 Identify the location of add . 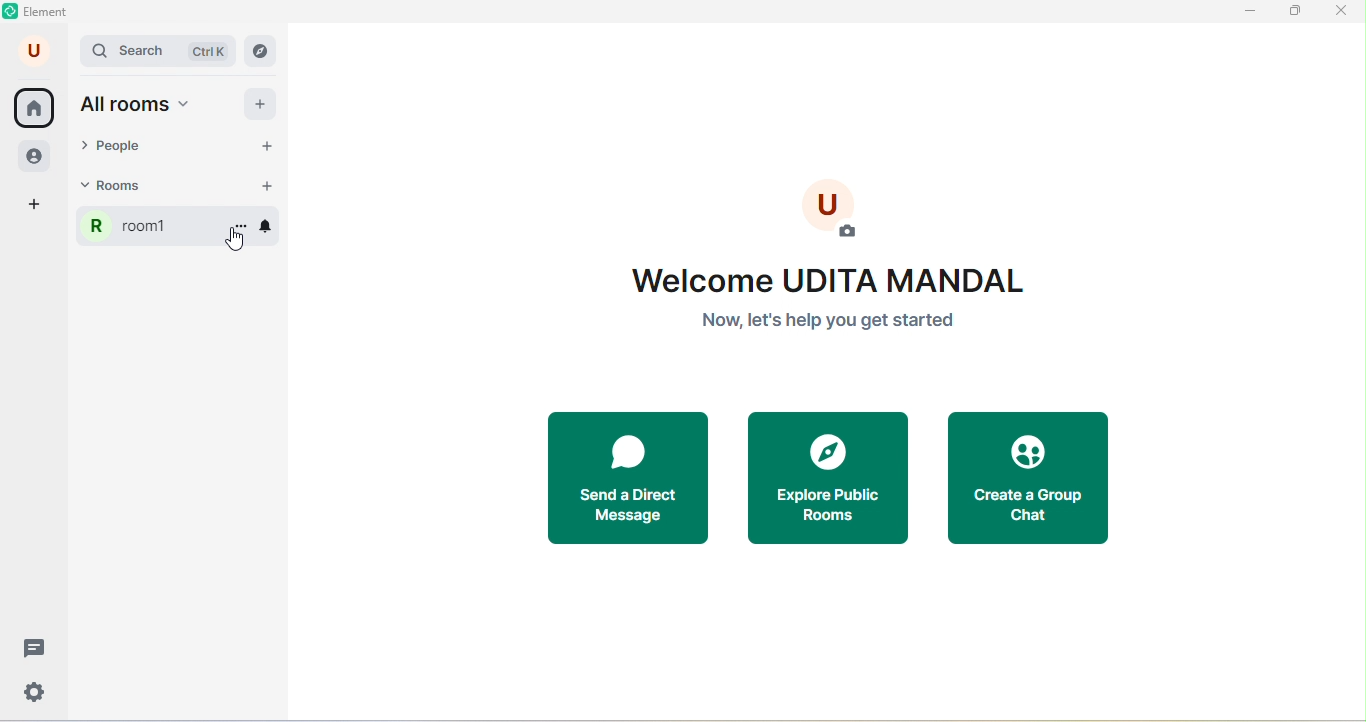
(260, 103).